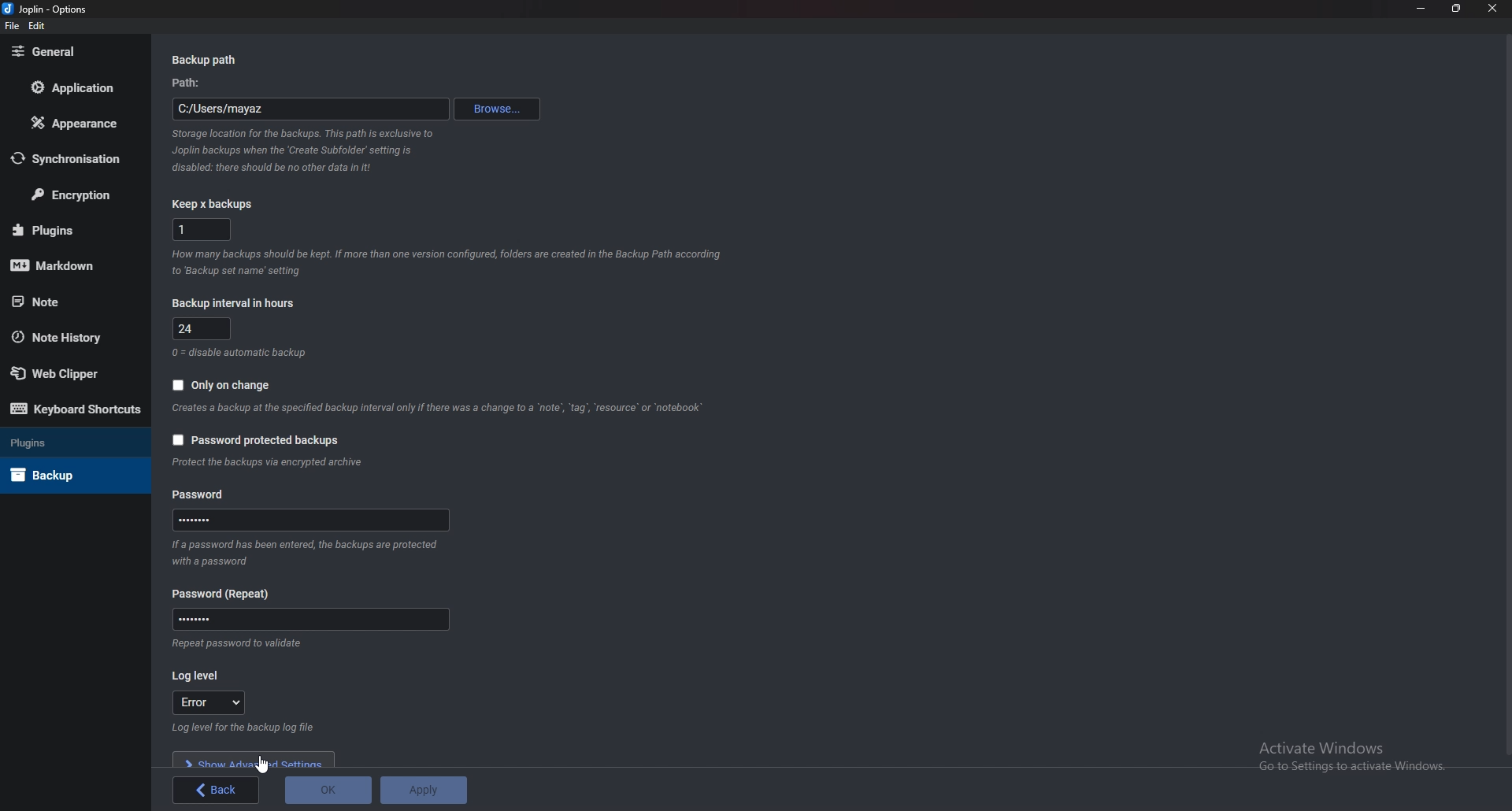  Describe the element at coordinates (269, 463) in the screenshot. I see `info` at that location.